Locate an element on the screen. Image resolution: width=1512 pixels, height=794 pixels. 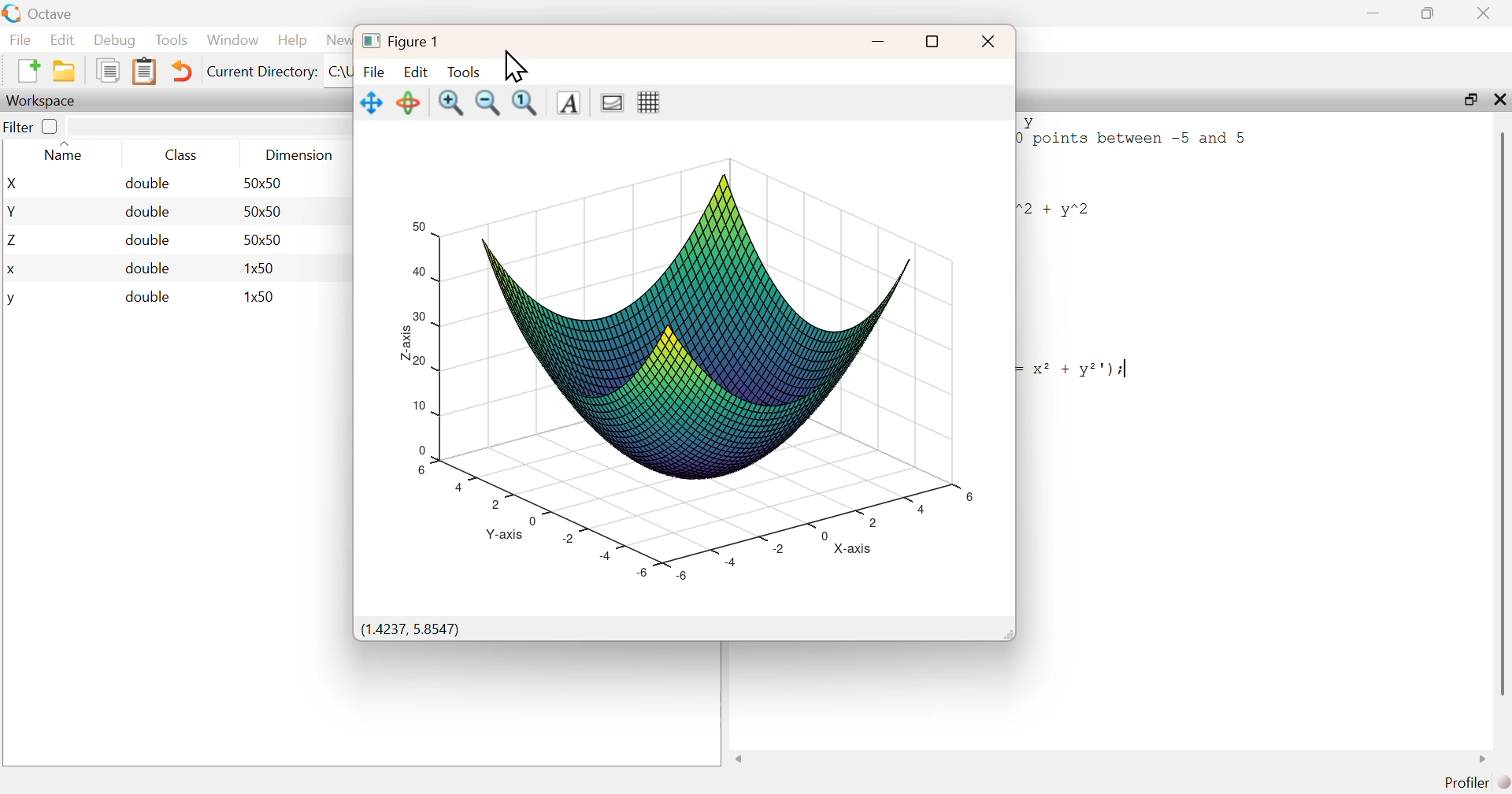
double is located at coordinates (150, 239).